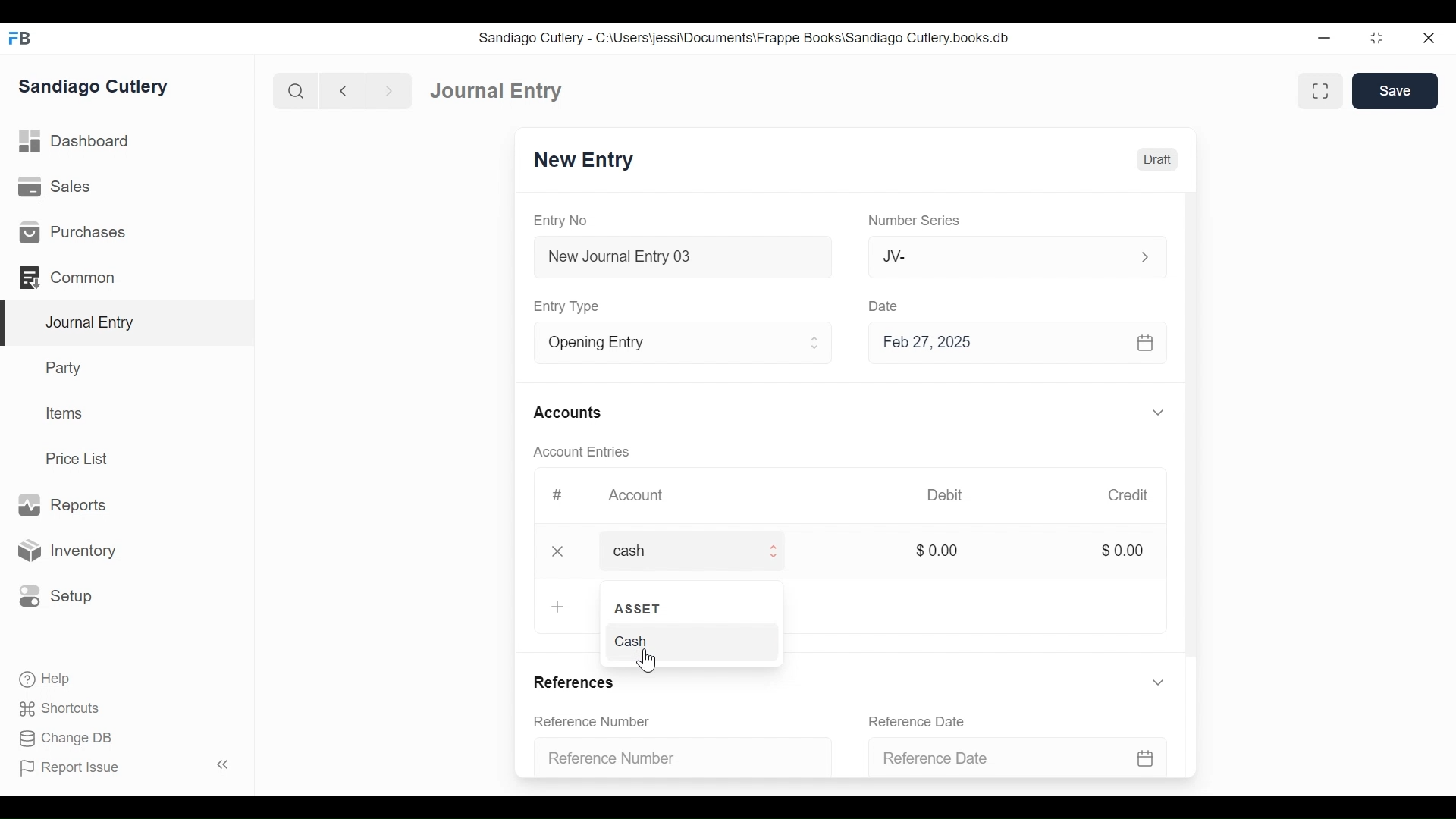 The height and width of the screenshot is (819, 1456). What do you see at coordinates (1130, 495) in the screenshot?
I see `Credit` at bounding box center [1130, 495].